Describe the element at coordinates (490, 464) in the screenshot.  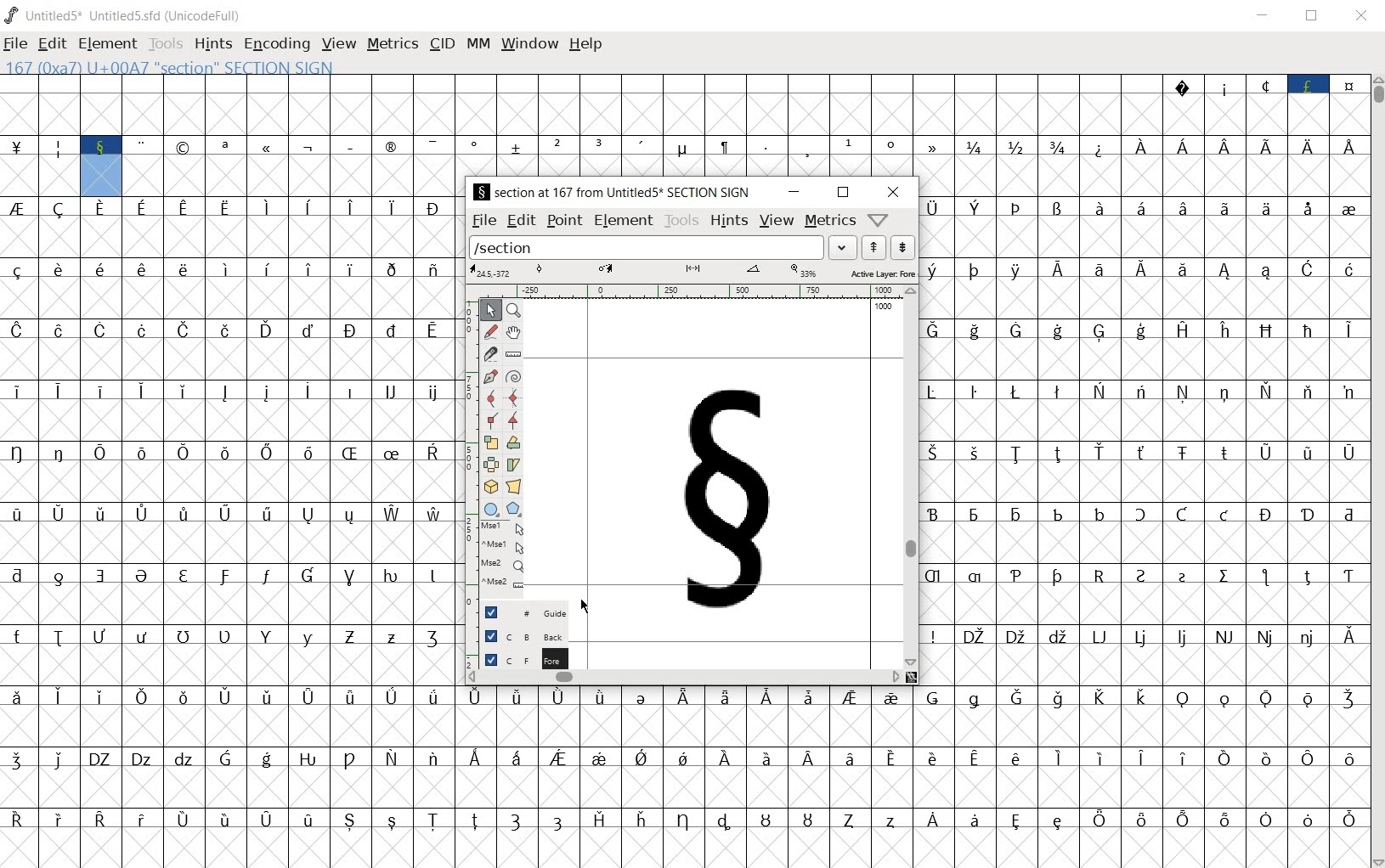
I see `flip the selection` at that location.